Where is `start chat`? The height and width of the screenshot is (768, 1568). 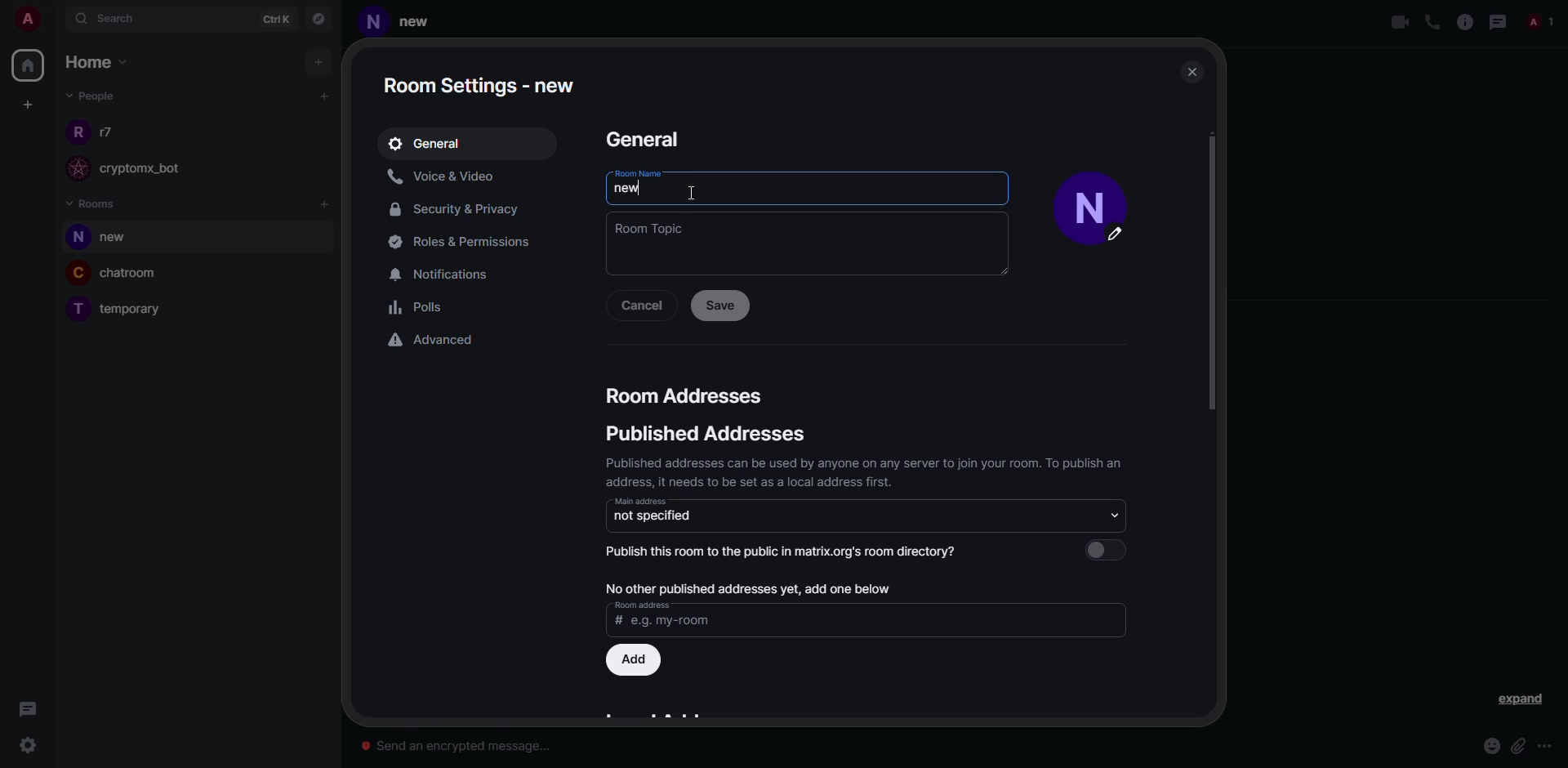
start chat is located at coordinates (323, 96).